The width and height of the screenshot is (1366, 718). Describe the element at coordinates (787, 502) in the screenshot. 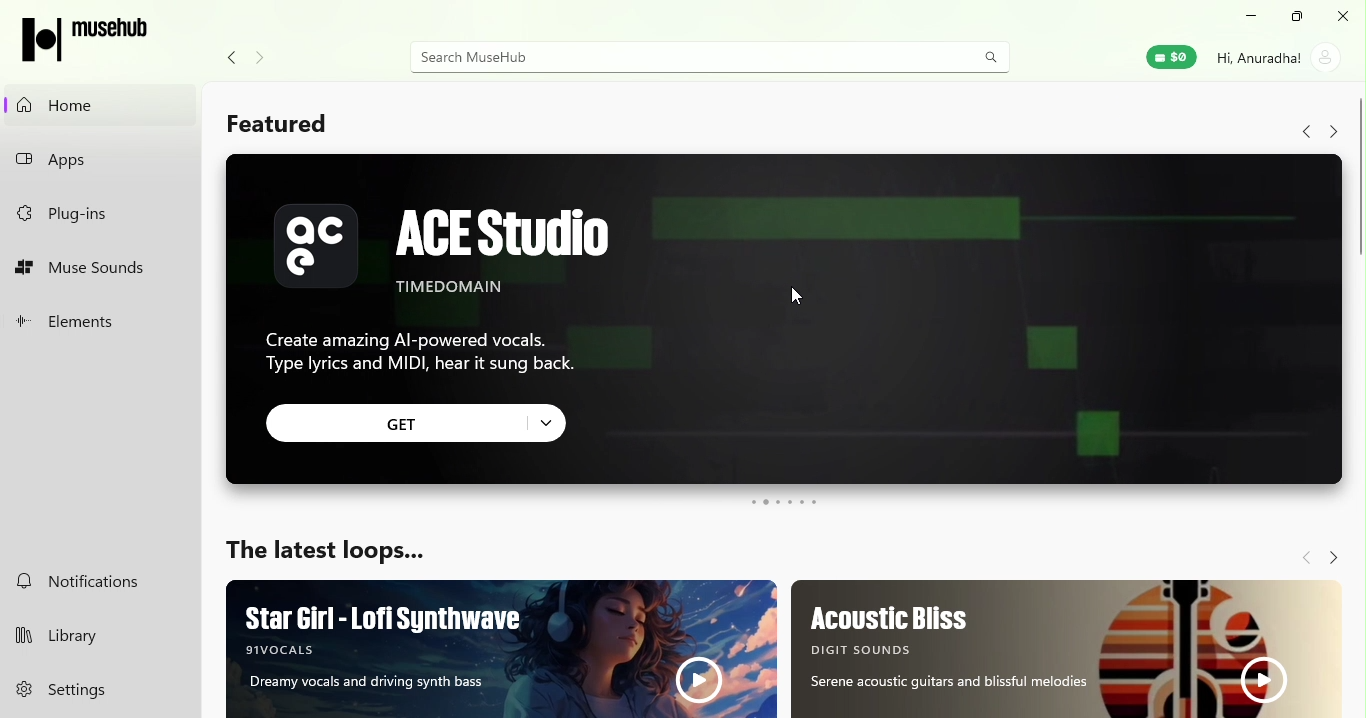

I see `swipe buttons` at that location.